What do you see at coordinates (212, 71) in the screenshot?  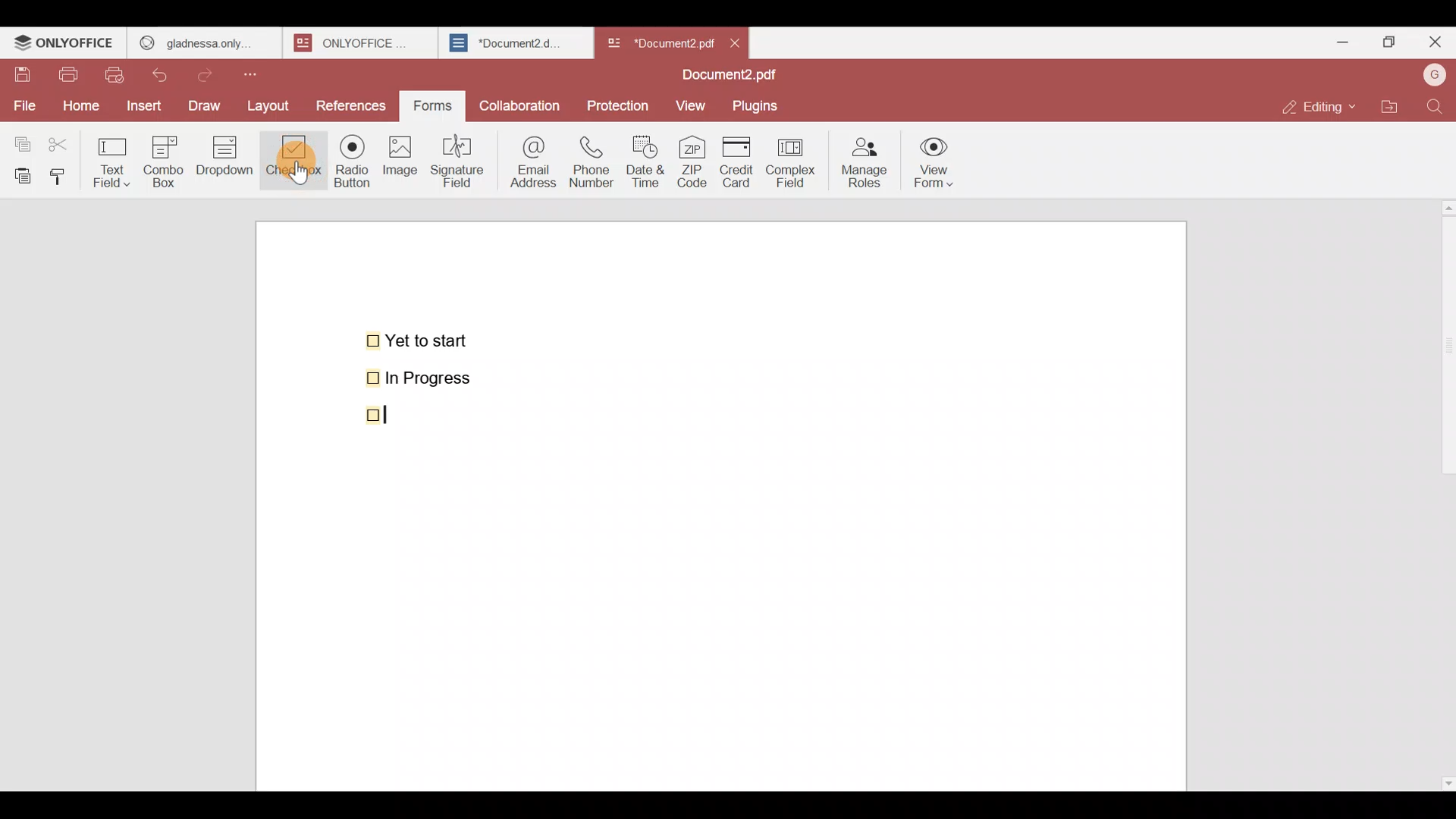 I see `Redo` at bounding box center [212, 71].